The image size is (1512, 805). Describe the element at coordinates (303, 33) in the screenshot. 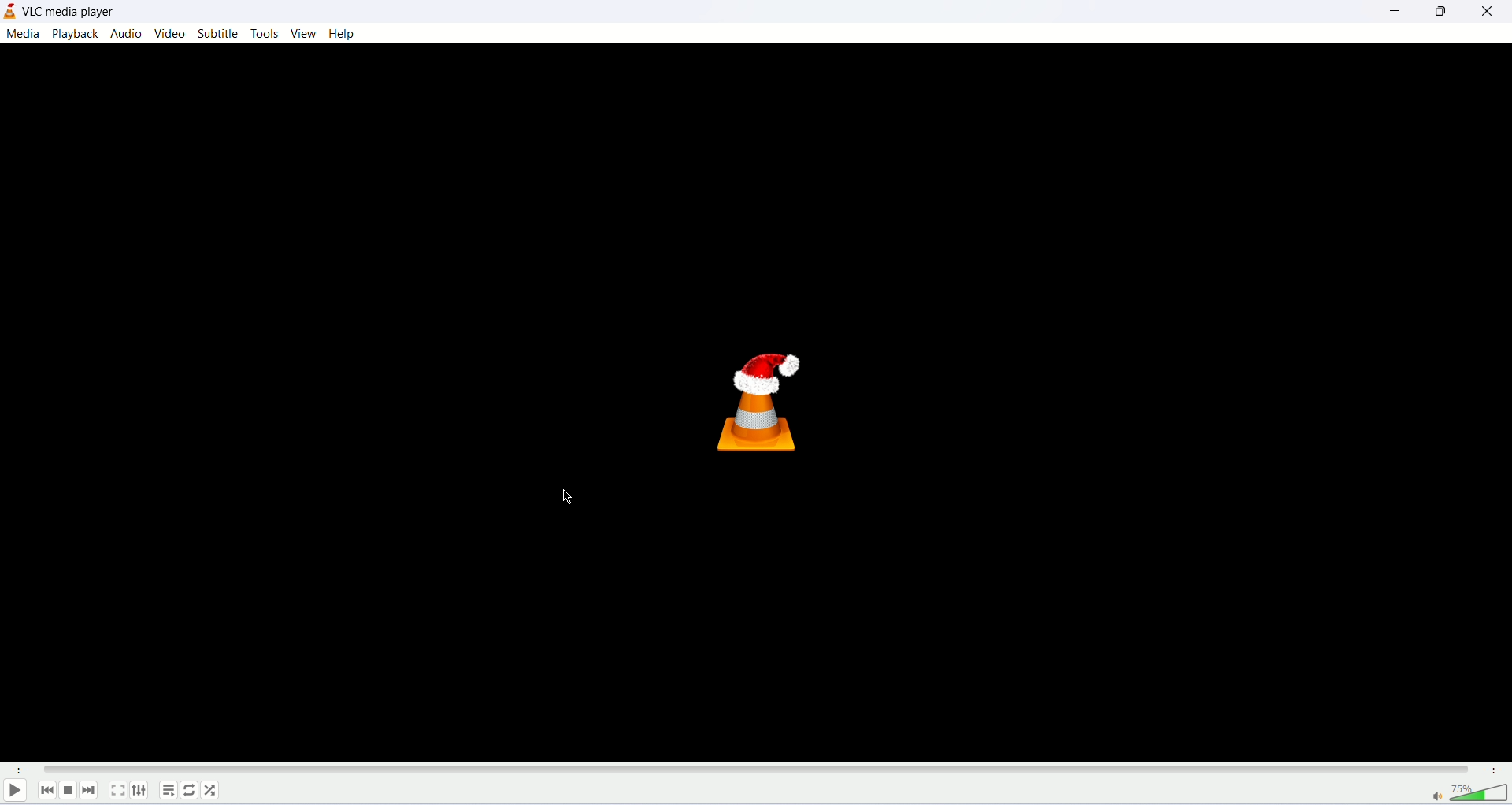

I see `view` at that location.